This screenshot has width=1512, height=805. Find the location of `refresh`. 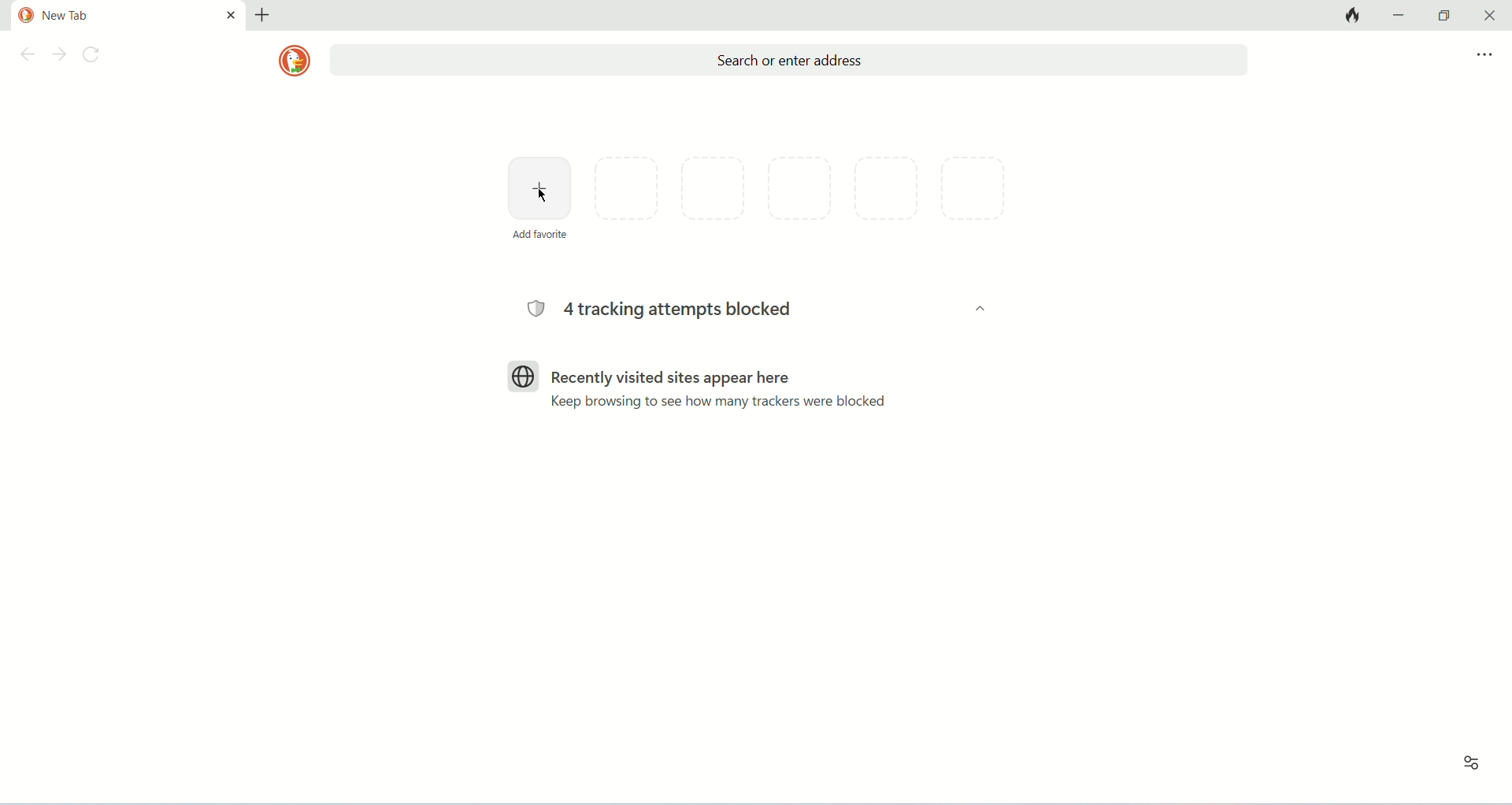

refresh is located at coordinates (95, 57).